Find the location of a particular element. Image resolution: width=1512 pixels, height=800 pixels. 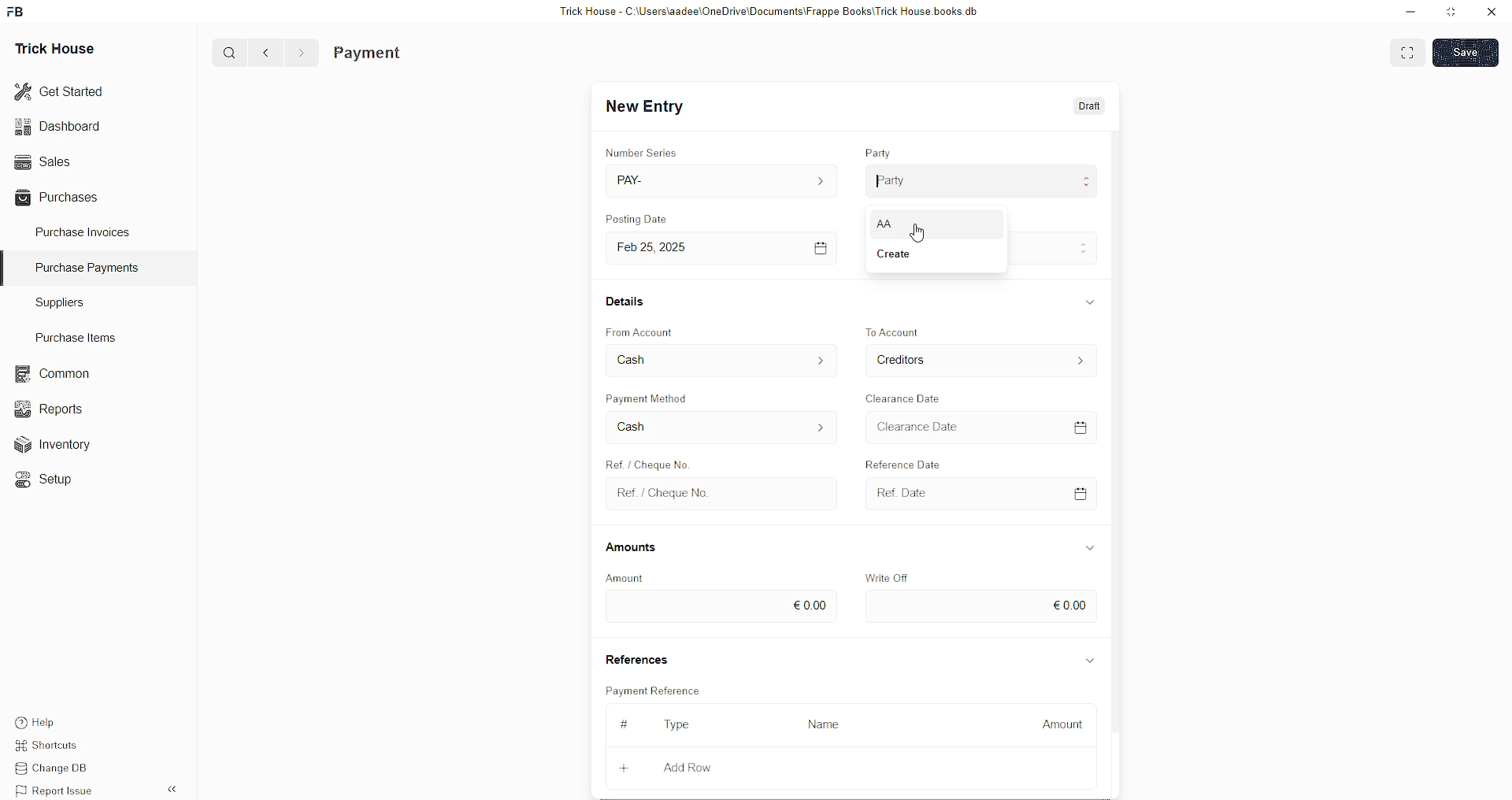

Reports is located at coordinates (54, 407).